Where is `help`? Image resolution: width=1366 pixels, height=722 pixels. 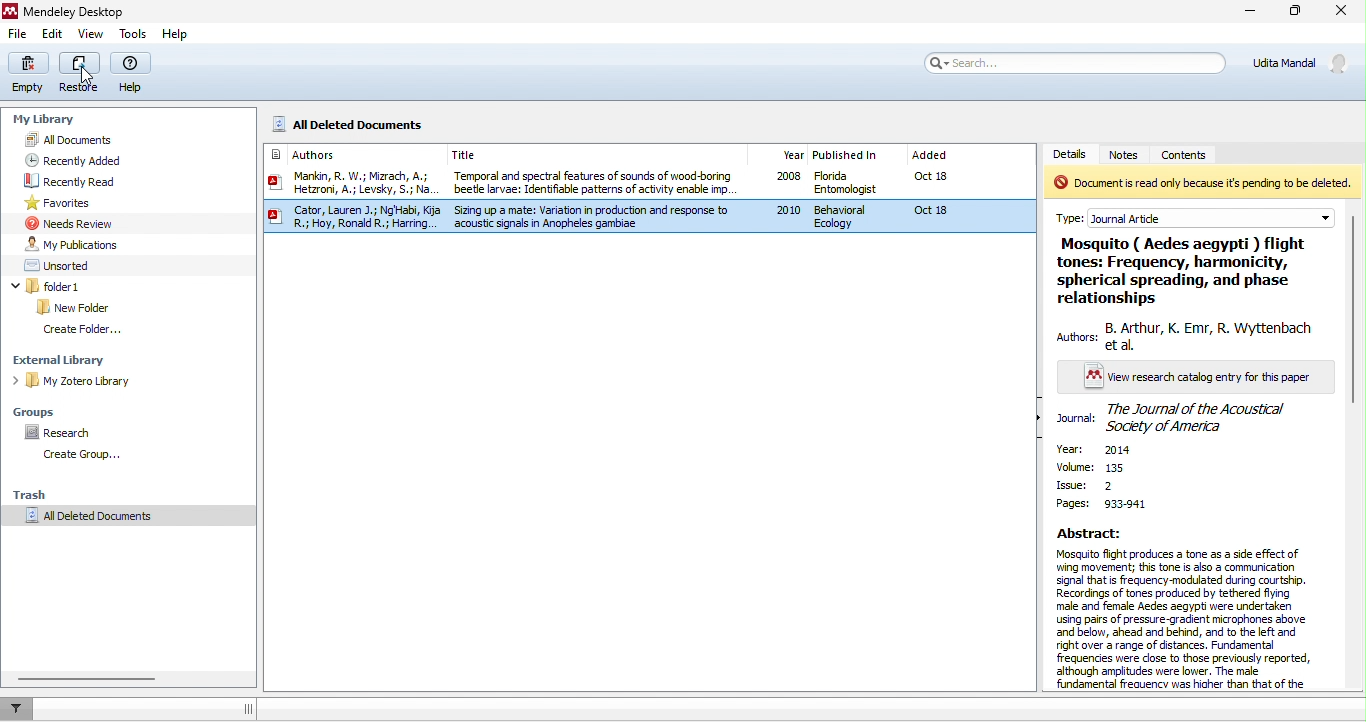
help is located at coordinates (176, 35).